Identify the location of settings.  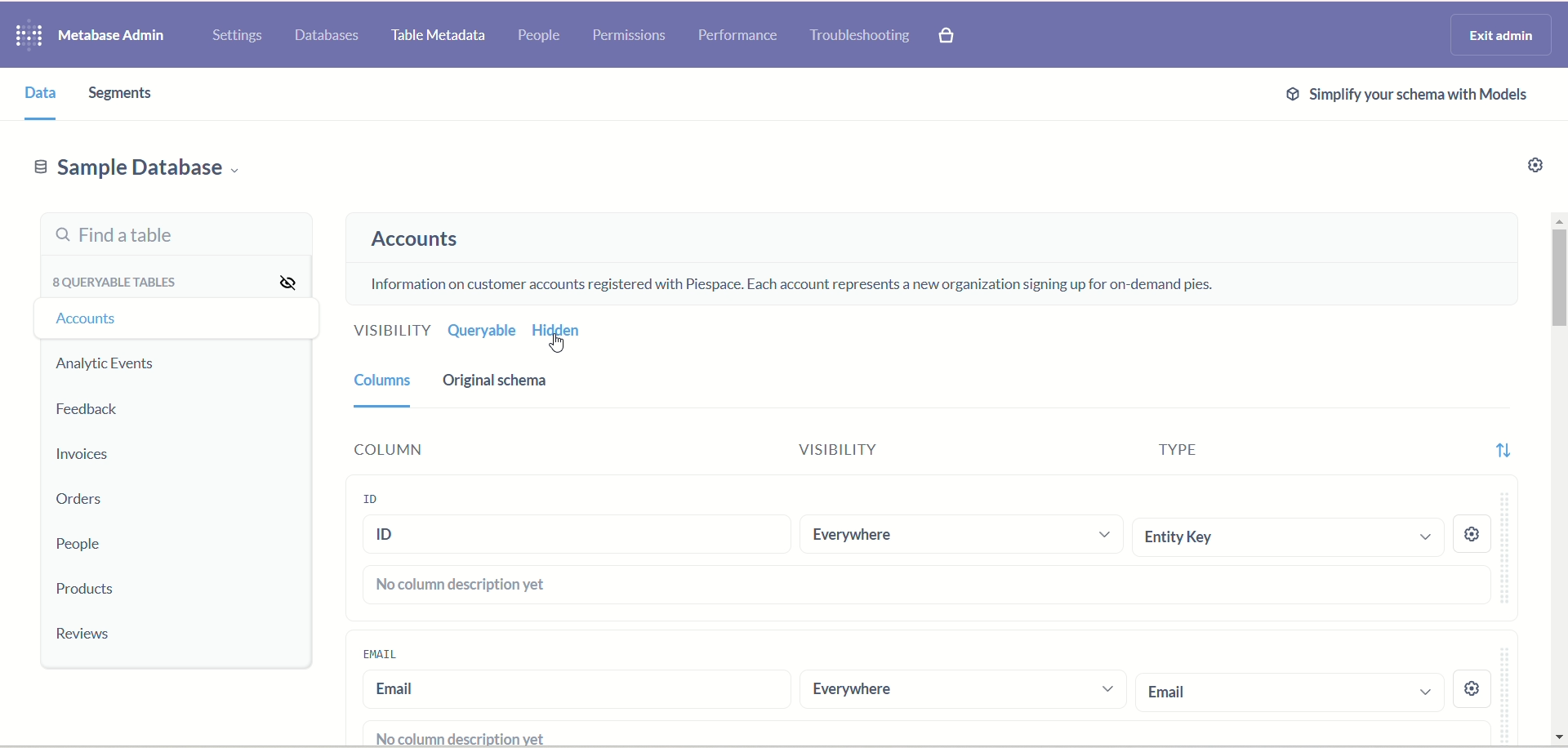
(238, 38).